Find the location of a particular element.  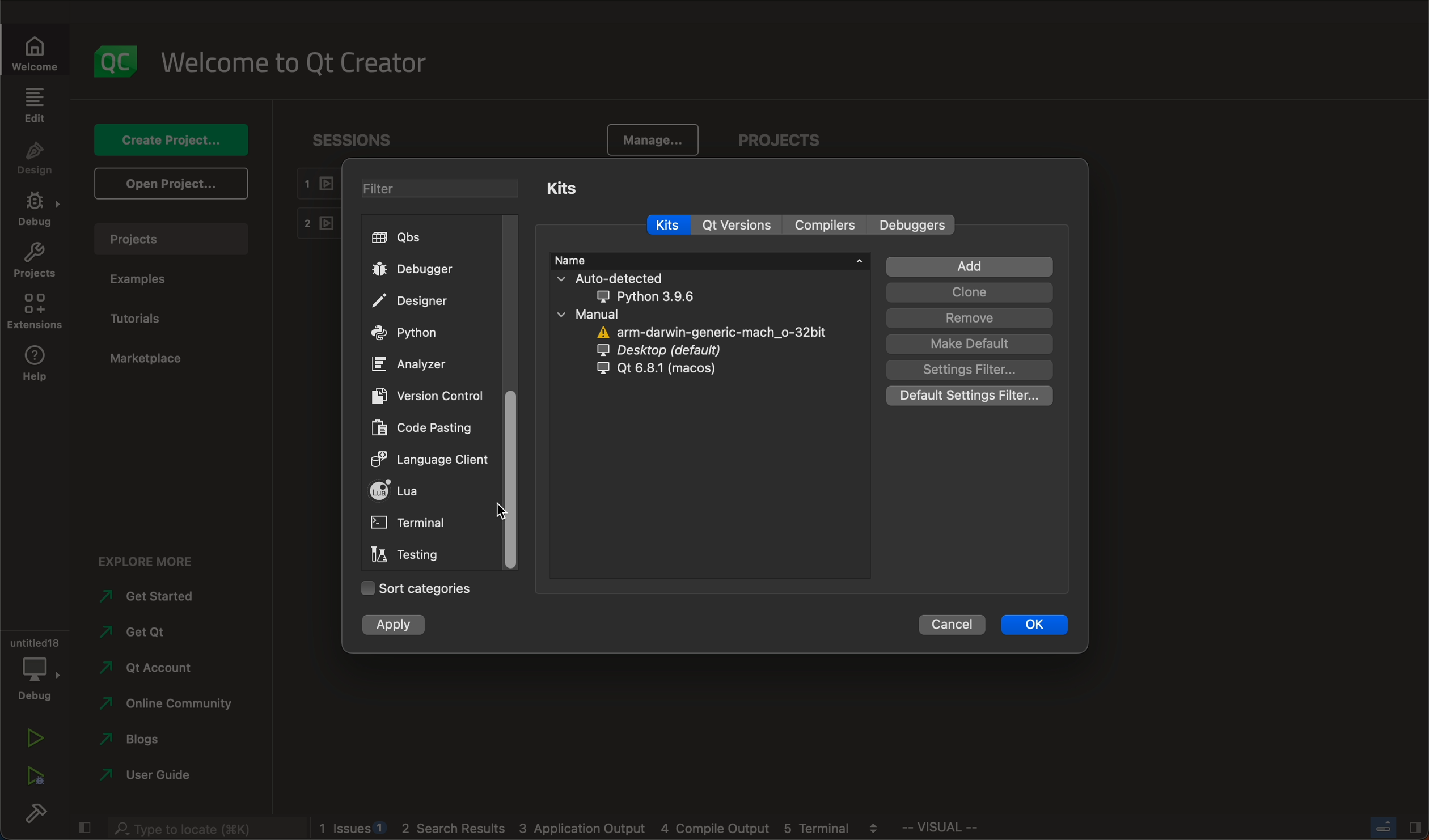

kits is located at coordinates (671, 226).